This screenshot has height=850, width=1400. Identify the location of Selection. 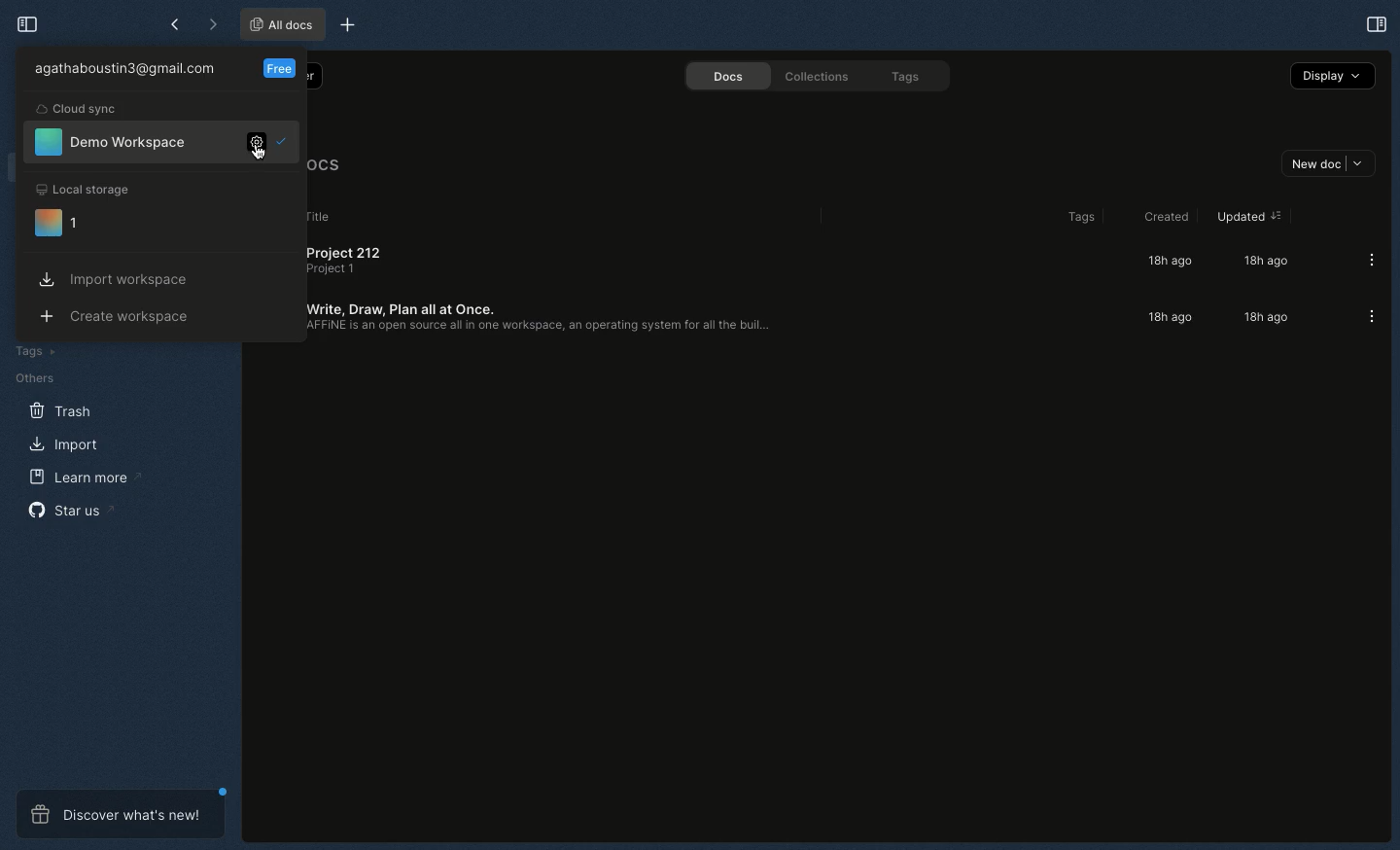
(283, 140).